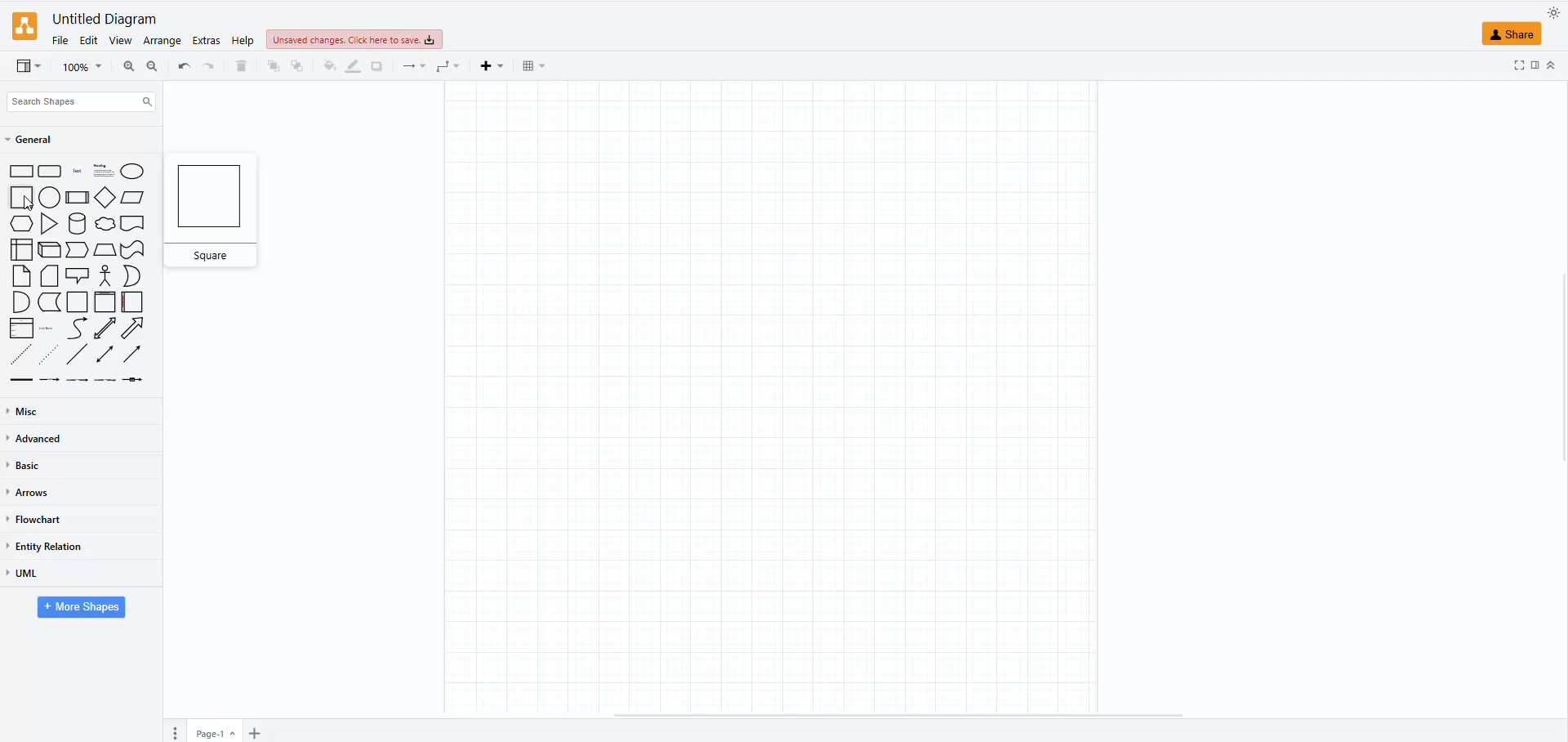  What do you see at coordinates (1534, 65) in the screenshot?
I see `fullscreen` at bounding box center [1534, 65].